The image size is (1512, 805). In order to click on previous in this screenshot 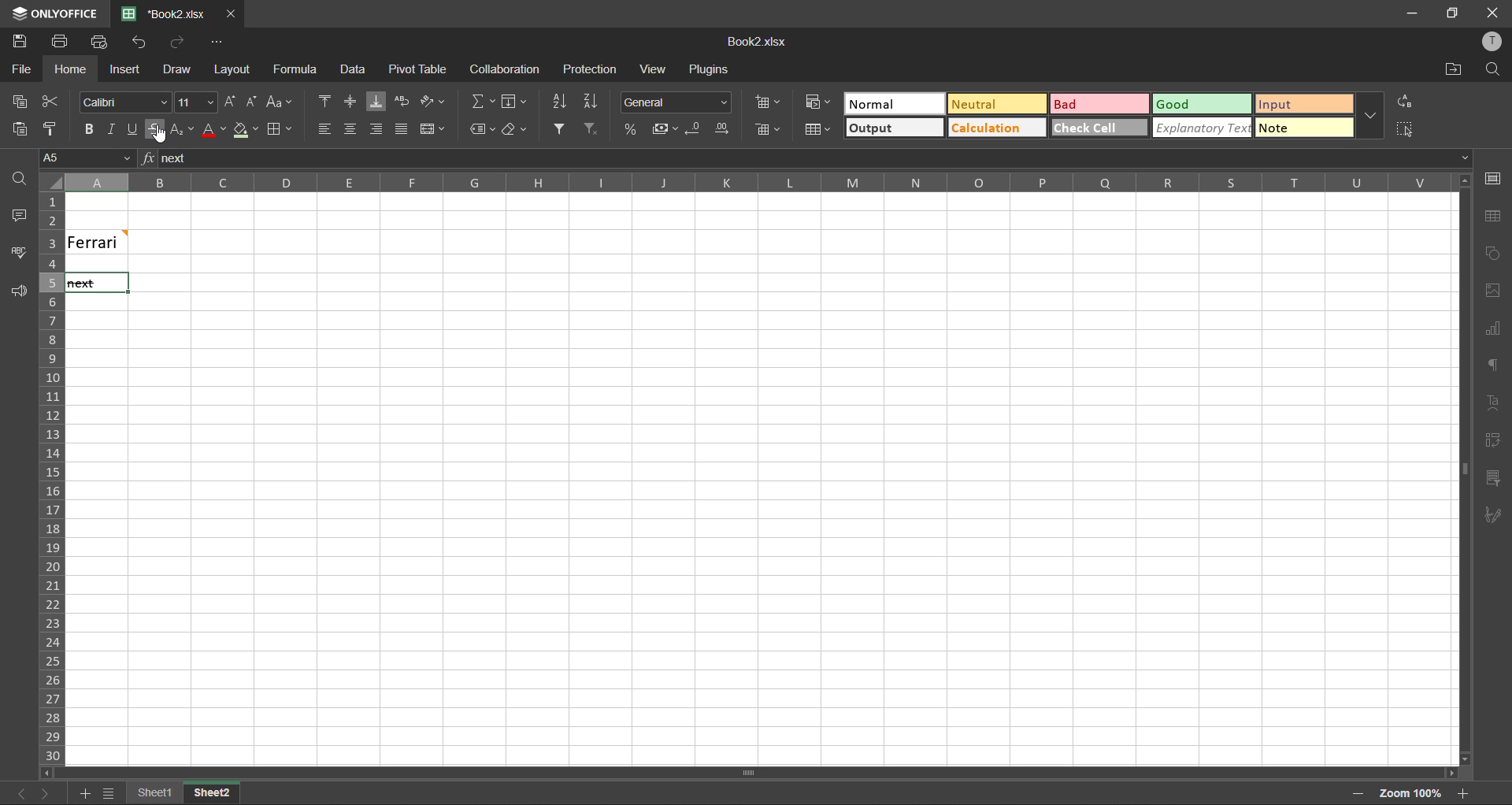, I will do `click(15, 793)`.